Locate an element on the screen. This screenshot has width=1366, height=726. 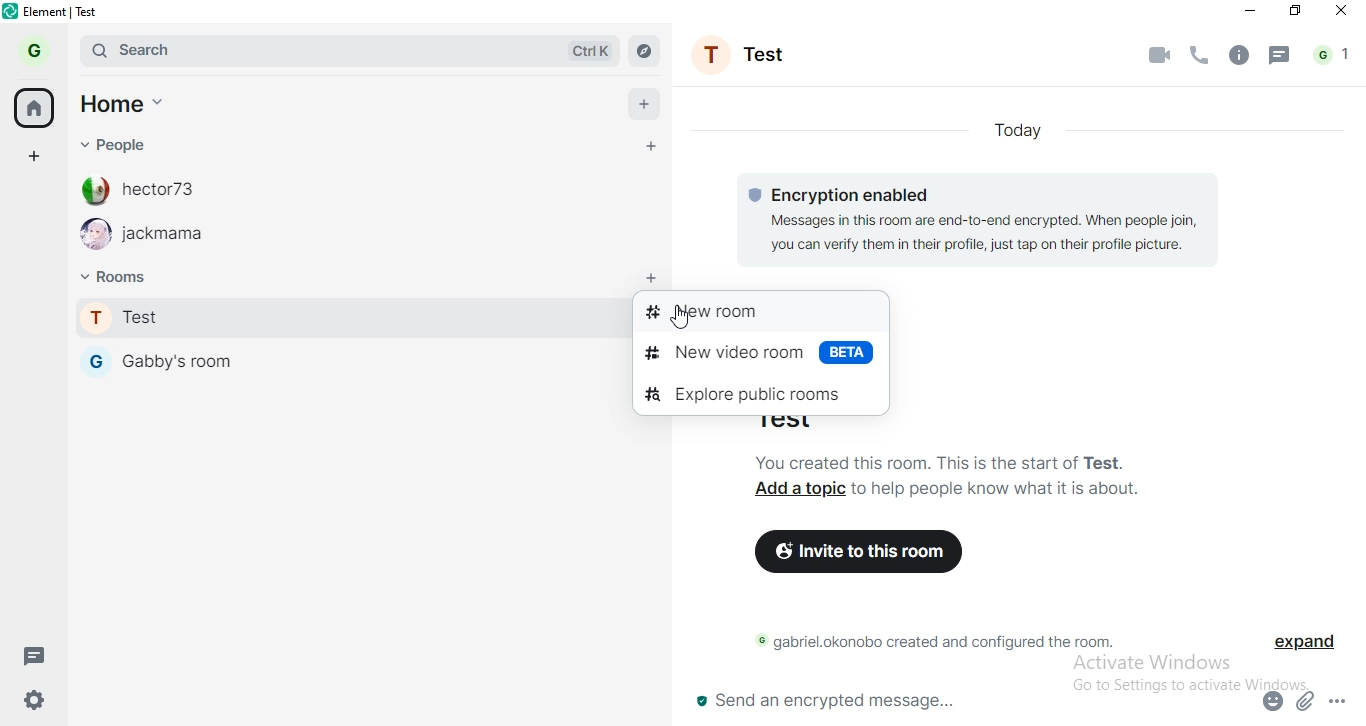
message is located at coordinates (34, 659).